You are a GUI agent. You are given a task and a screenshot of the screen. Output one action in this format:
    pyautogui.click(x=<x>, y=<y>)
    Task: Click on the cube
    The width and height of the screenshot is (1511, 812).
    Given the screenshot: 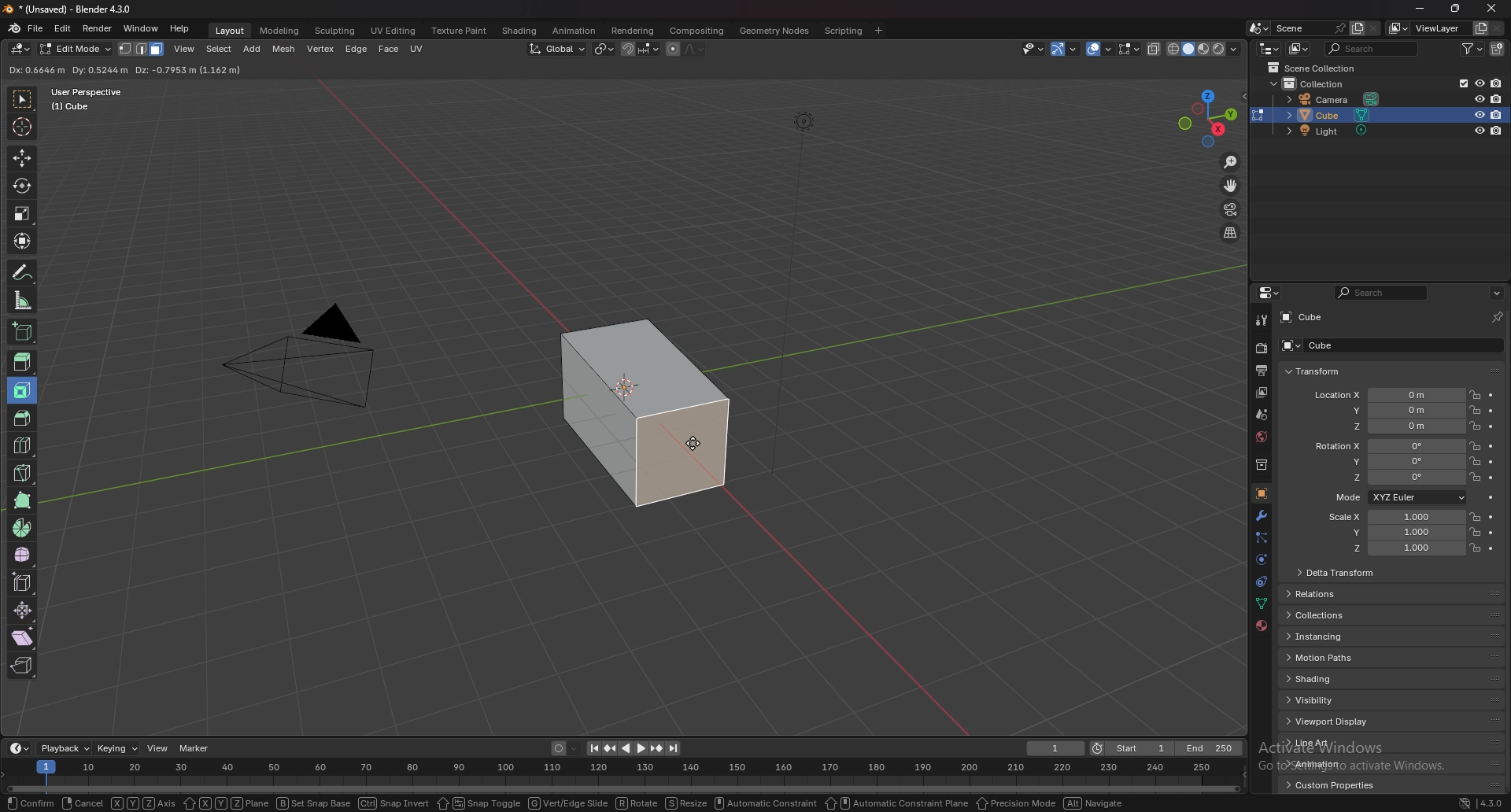 What is the action you would take?
    pyautogui.click(x=1304, y=317)
    